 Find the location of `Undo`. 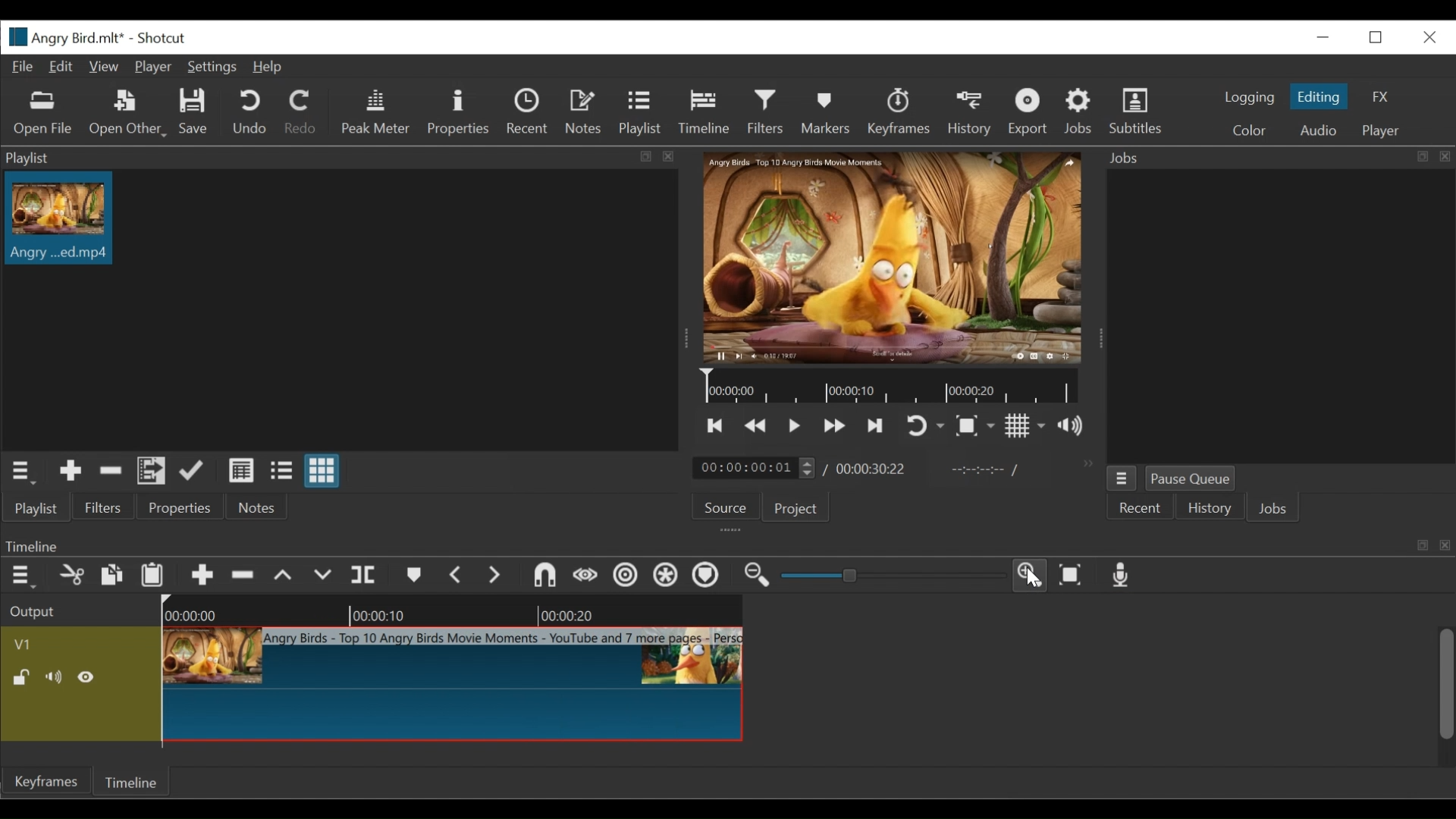

Undo is located at coordinates (249, 113).